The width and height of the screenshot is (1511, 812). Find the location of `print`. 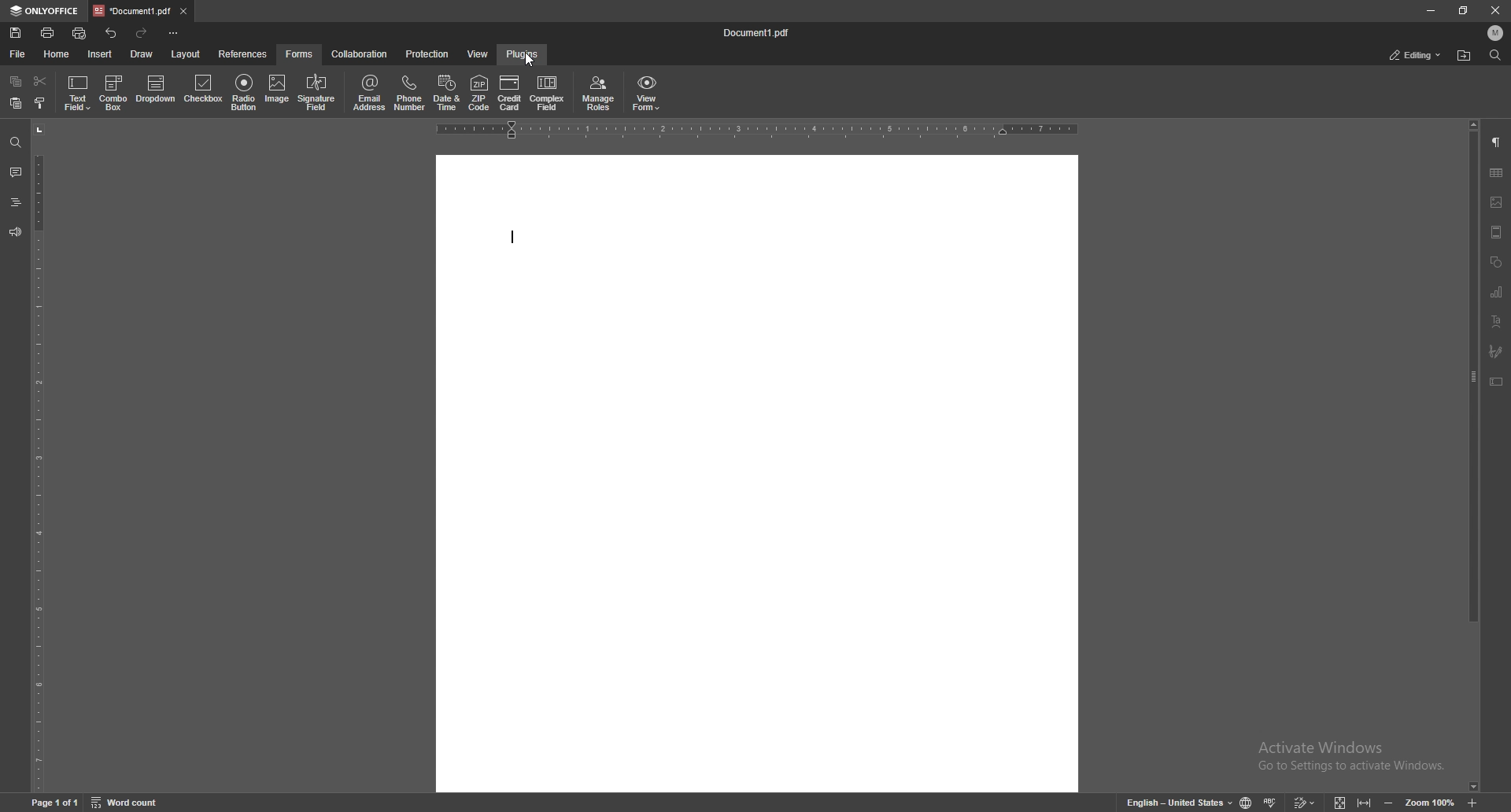

print is located at coordinates (49, 33).